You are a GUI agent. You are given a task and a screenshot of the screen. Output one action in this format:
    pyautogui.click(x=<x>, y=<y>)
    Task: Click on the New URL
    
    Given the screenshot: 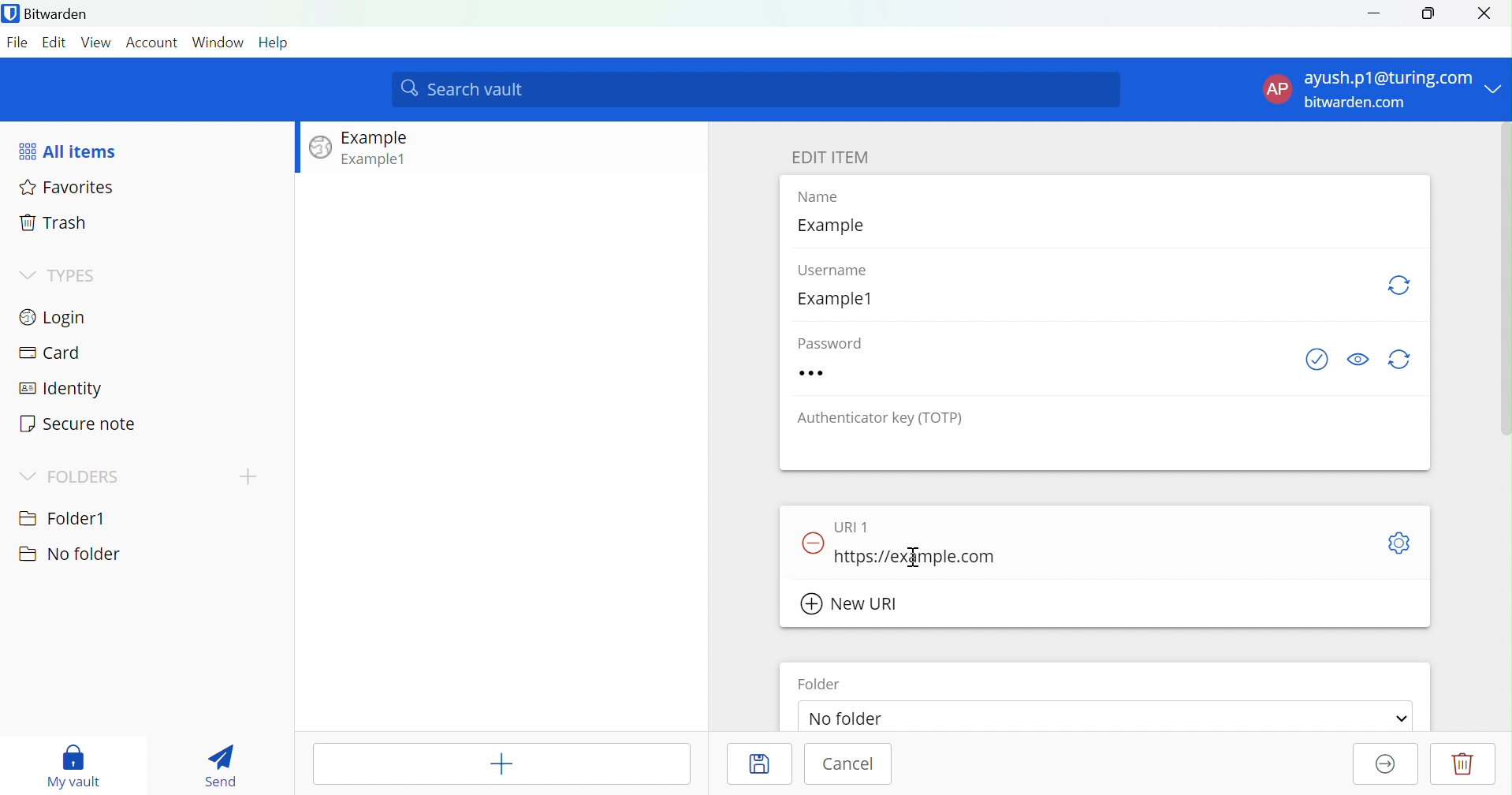 What is the action you would take?
    pyautogui.click(x=851, y=604)
    